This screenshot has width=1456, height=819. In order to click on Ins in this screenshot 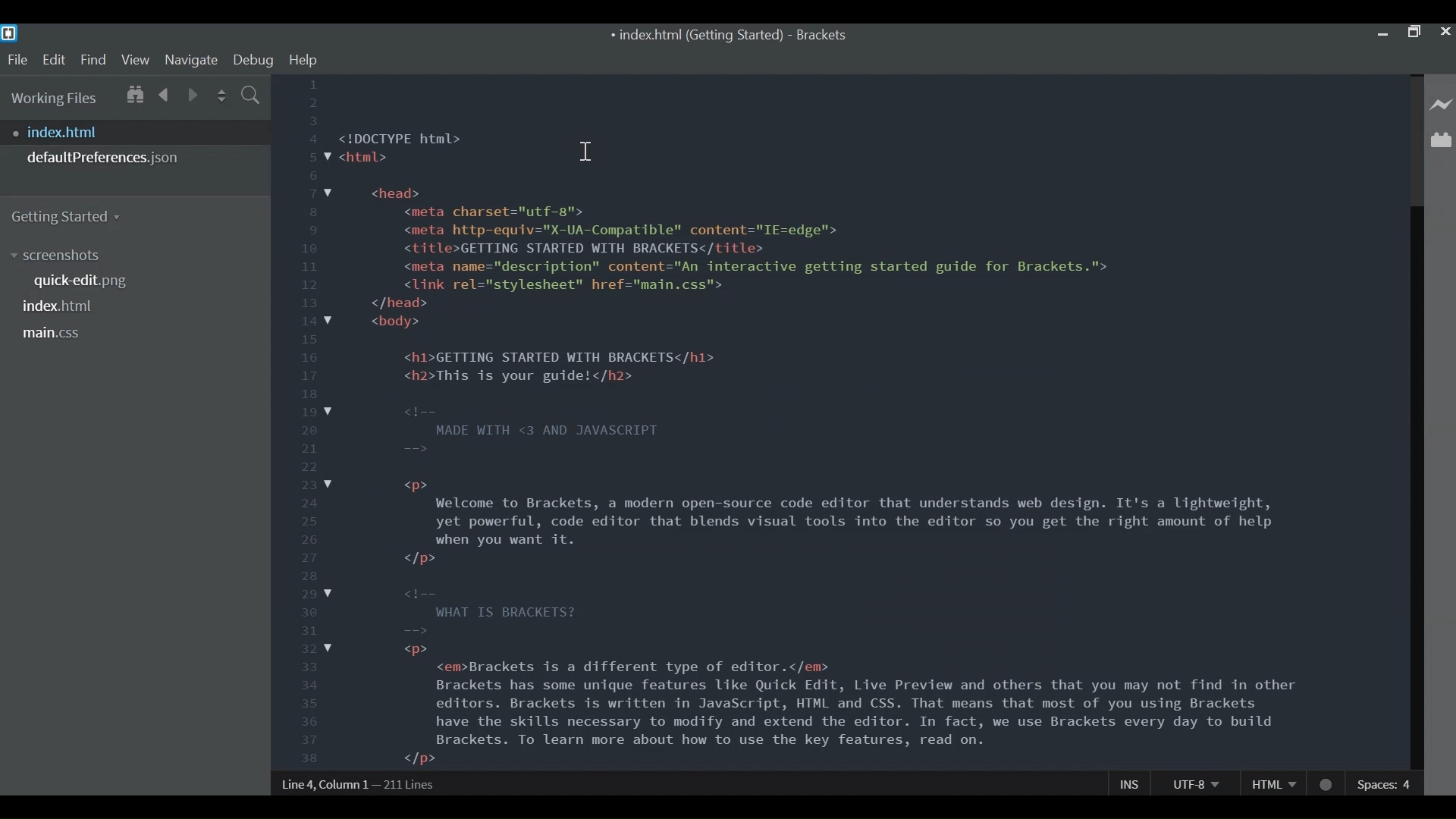, I will do `click(1131, 783)`.